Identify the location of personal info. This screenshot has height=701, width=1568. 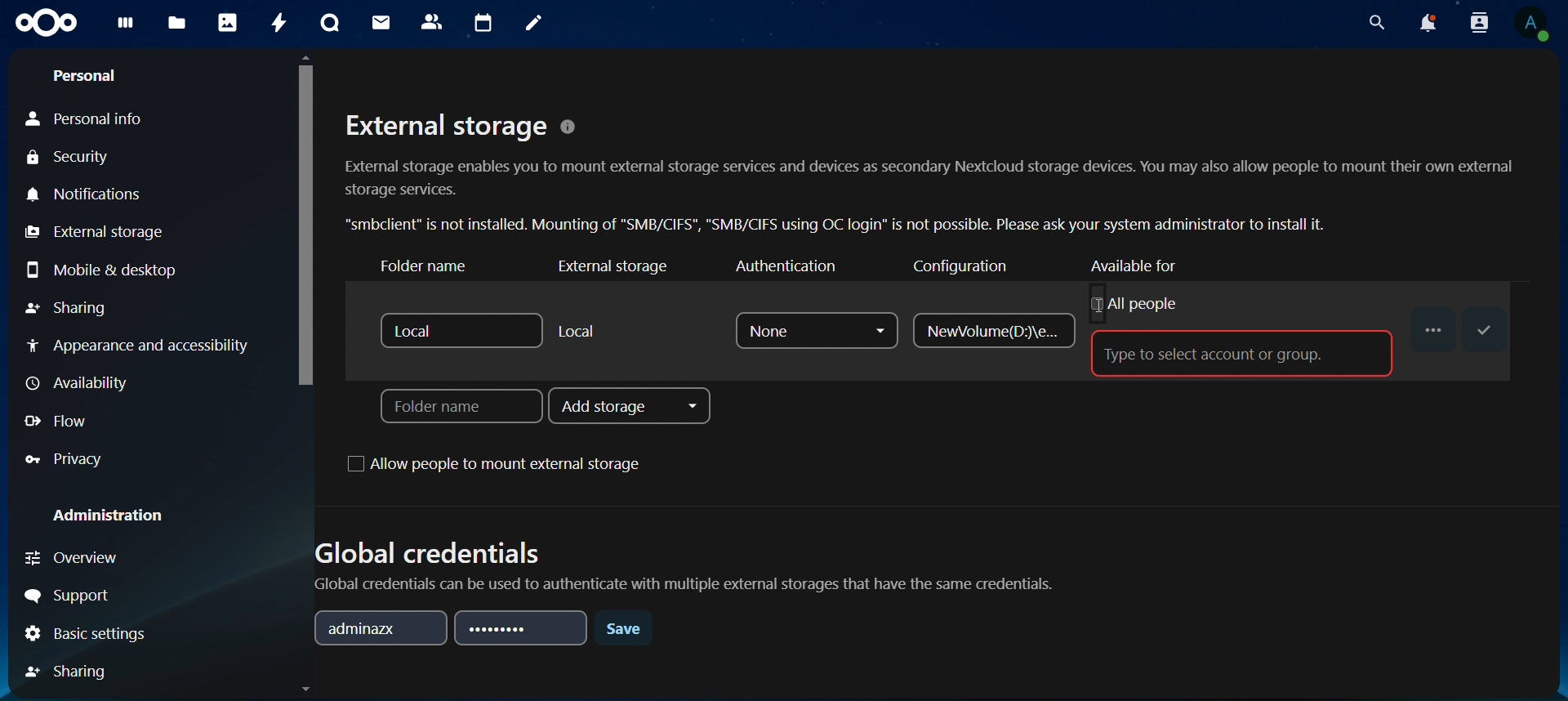
(90, 115).